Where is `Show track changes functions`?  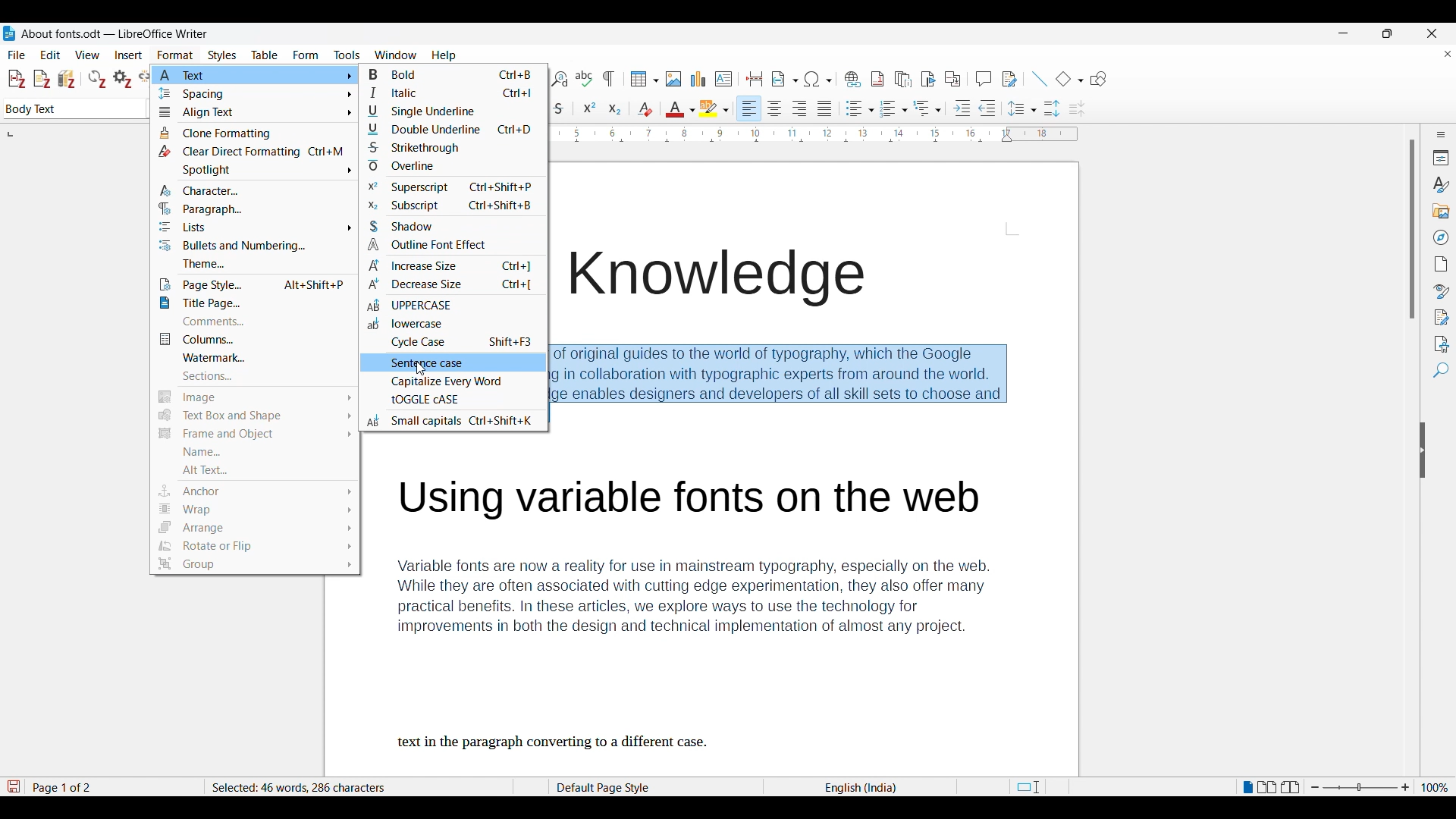 Show track changes functions is located at coordinates (1009, 79).